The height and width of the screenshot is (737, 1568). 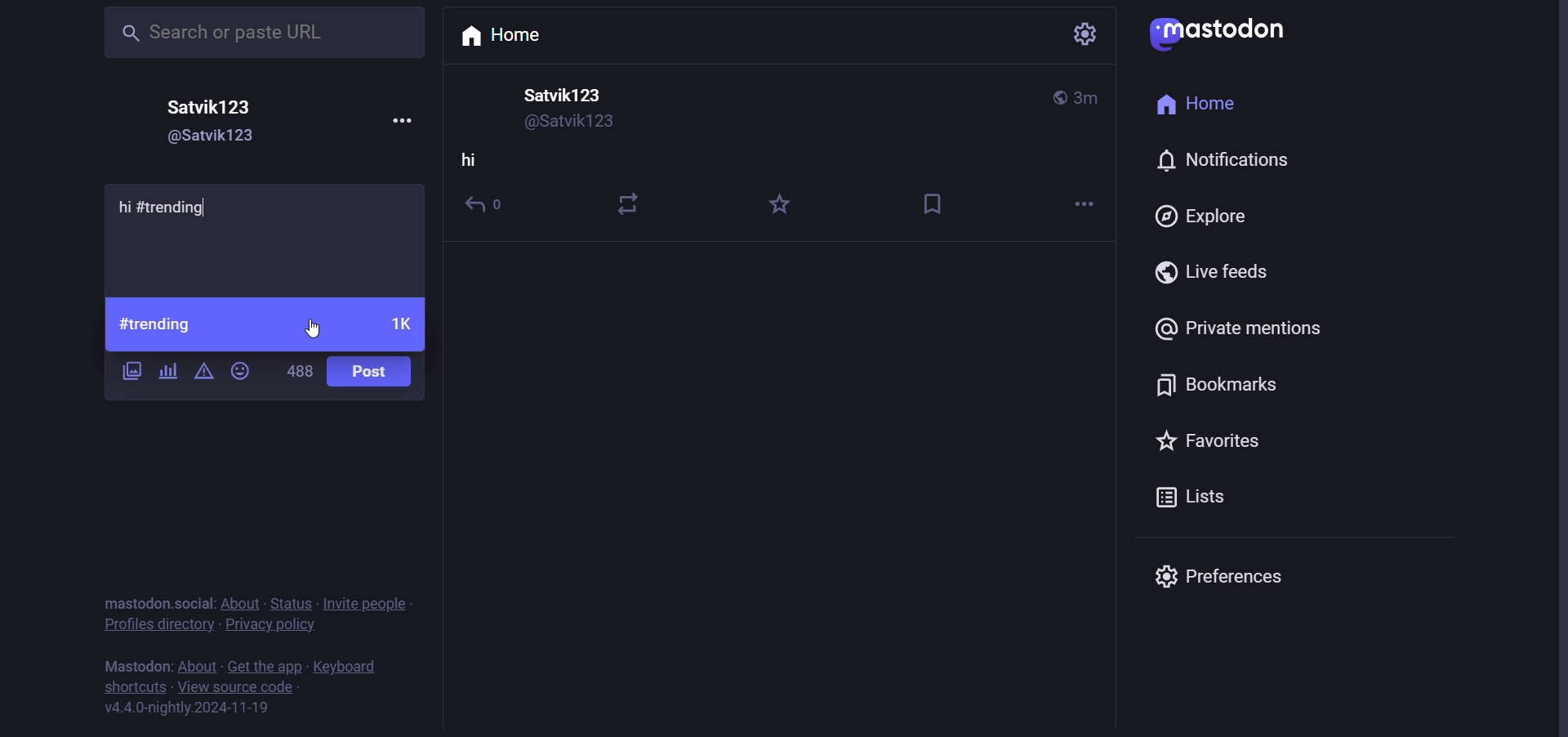 What do you see at coordinates (1212, 274) in the screenshot?
I see `live feed` at bounding box center [1212, 274].